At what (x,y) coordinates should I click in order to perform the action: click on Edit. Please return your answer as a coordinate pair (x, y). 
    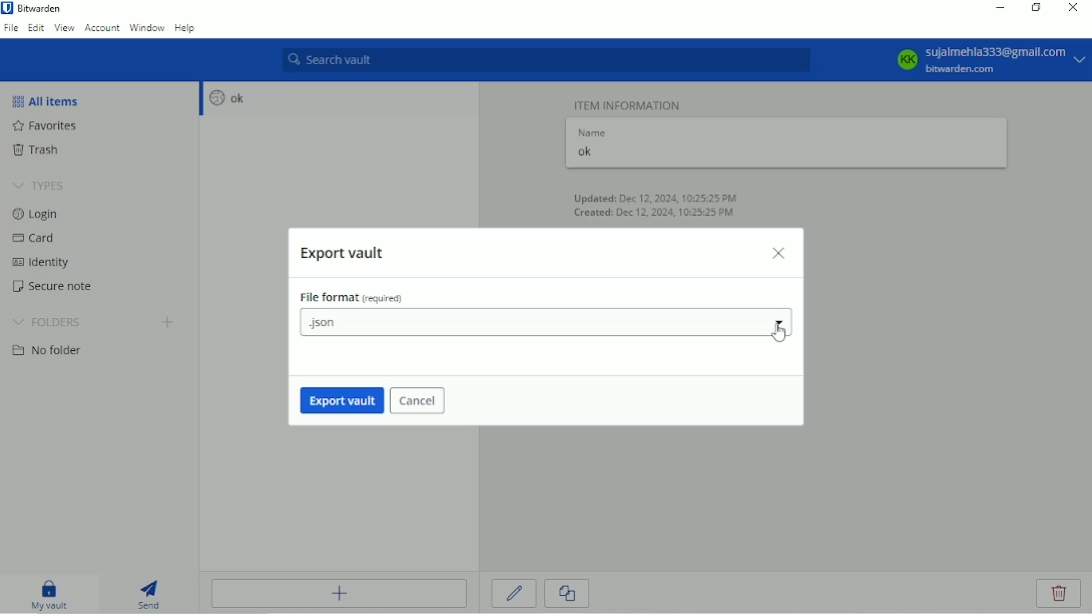
    Looking at the image, I should click on (515, 593).